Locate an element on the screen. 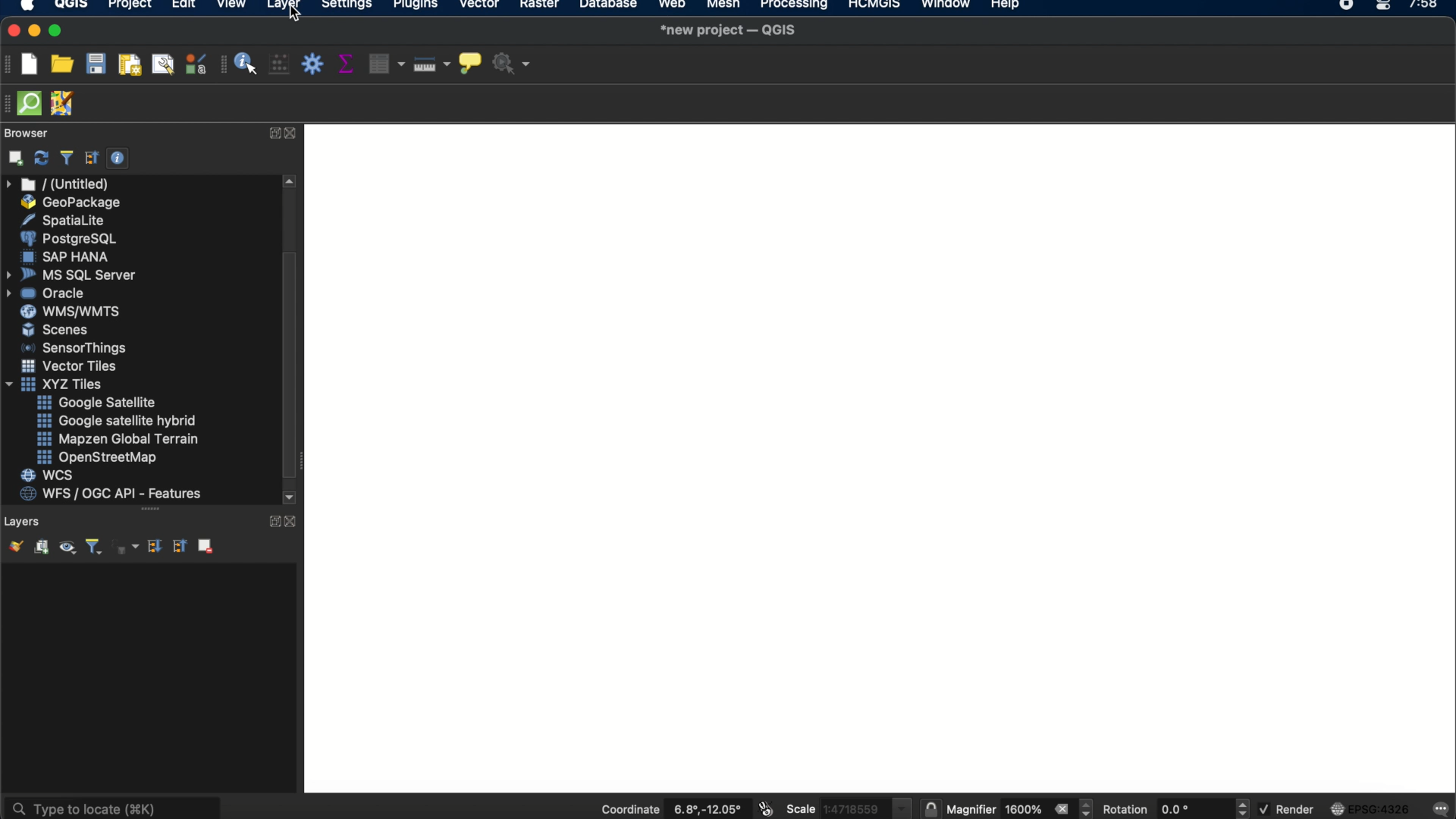  database is located at coordinates (607, 6).